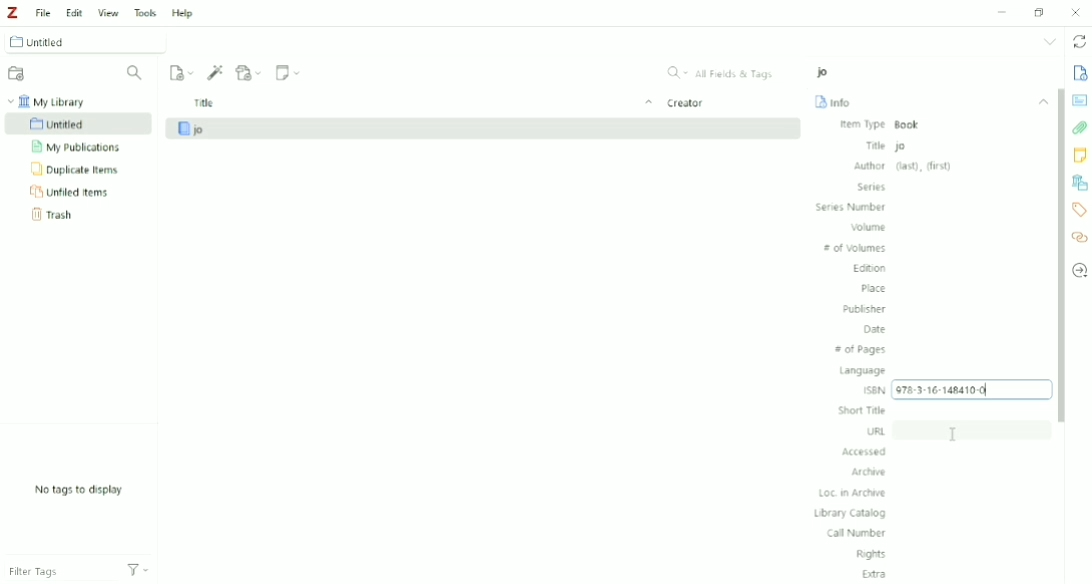  Describe the element at coordinates (420, 103) in the screenshot. I see `Title` at that location.